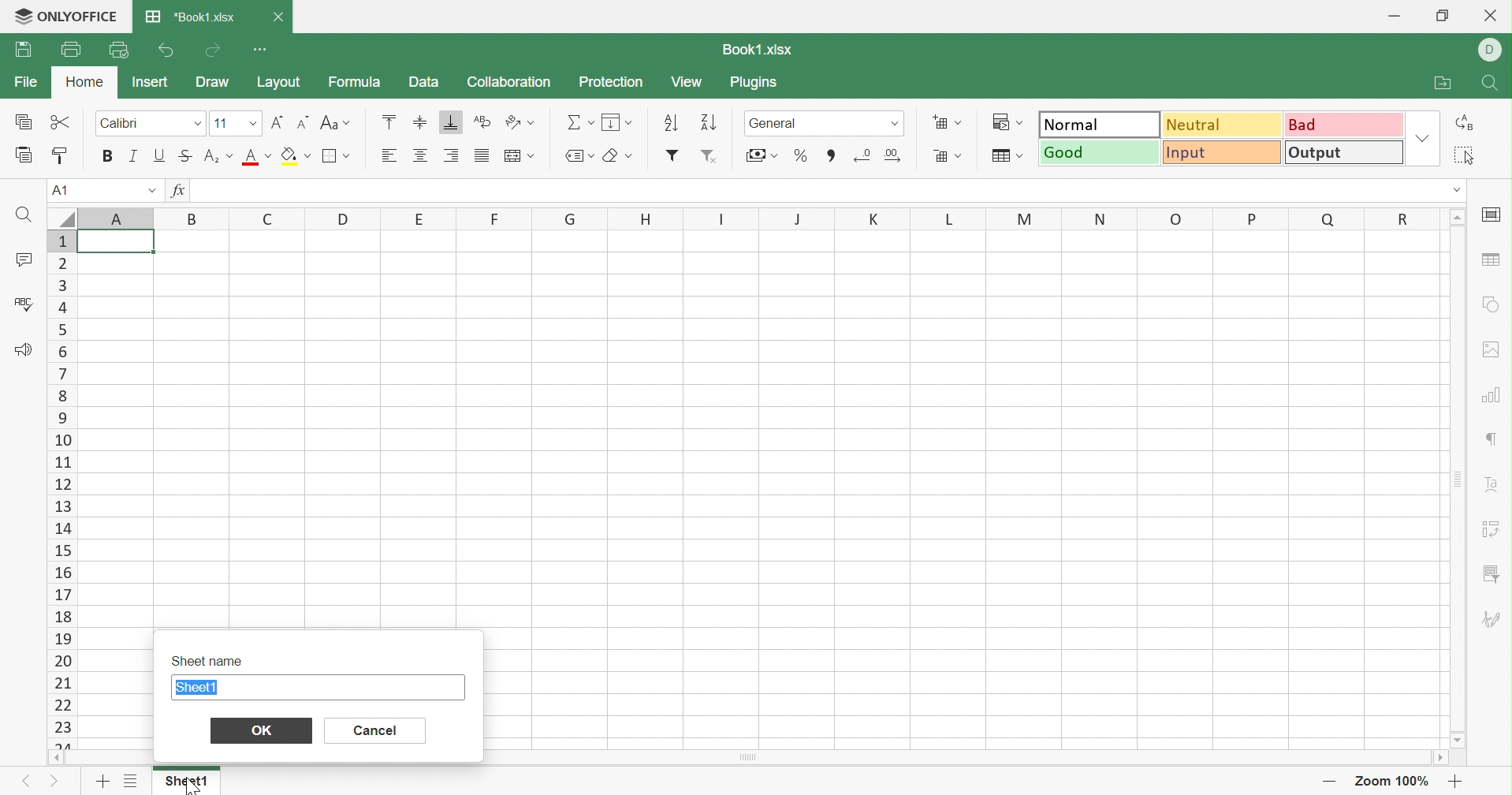  I want to click on numer formats, so click(889, 124).